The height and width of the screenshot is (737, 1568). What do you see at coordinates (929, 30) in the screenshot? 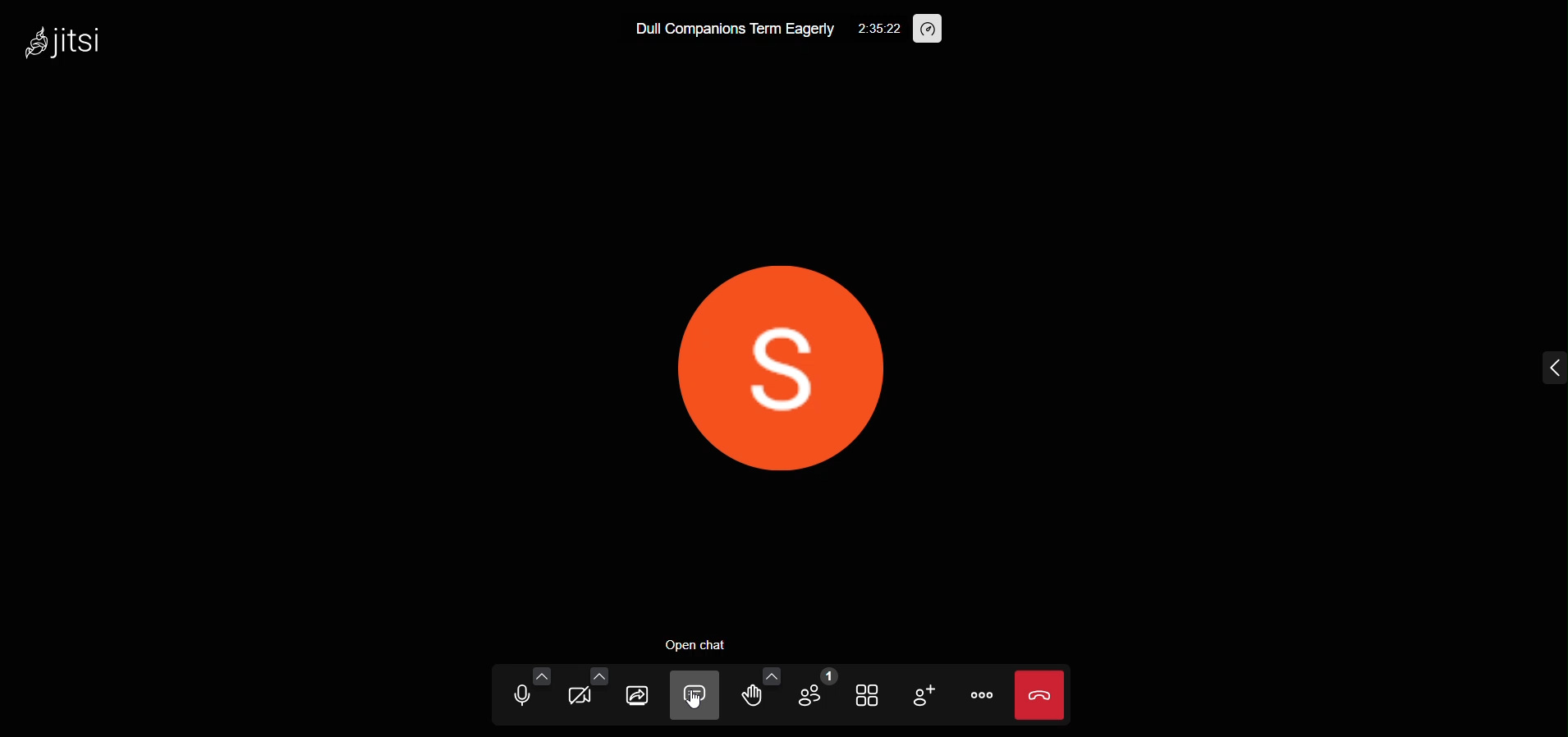
I see `performance setting` at bounding box center [929, 30].